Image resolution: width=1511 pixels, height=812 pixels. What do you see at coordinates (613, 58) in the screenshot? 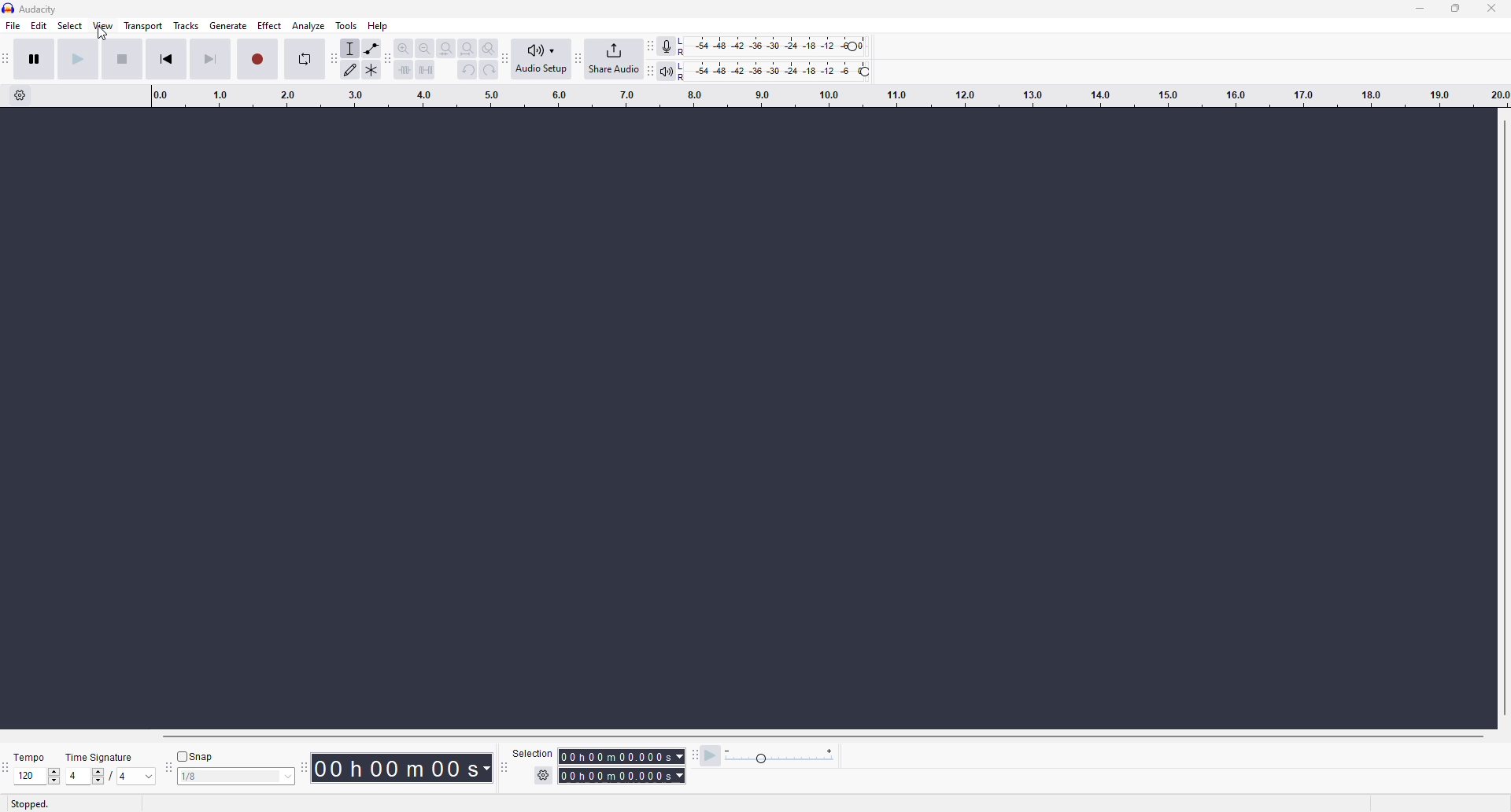
I see `share audio` at bounding box center [613, 58].